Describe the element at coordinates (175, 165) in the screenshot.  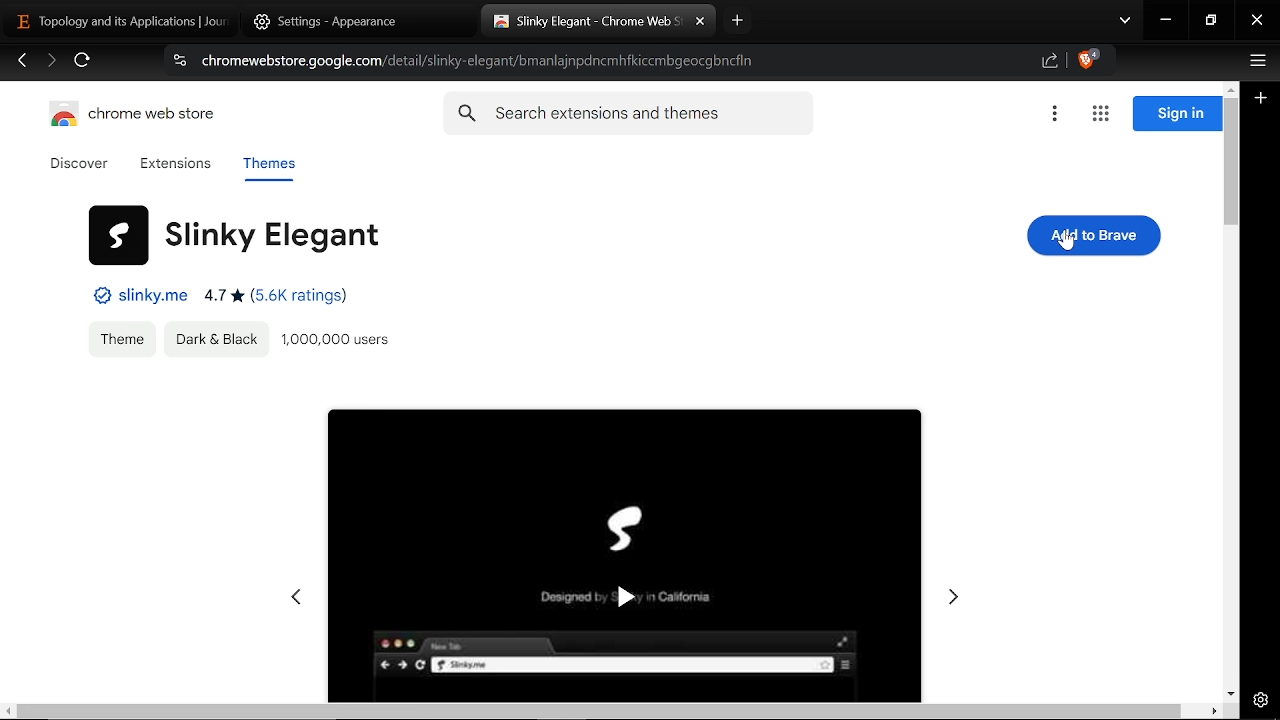
I see `Extensions` at that location.